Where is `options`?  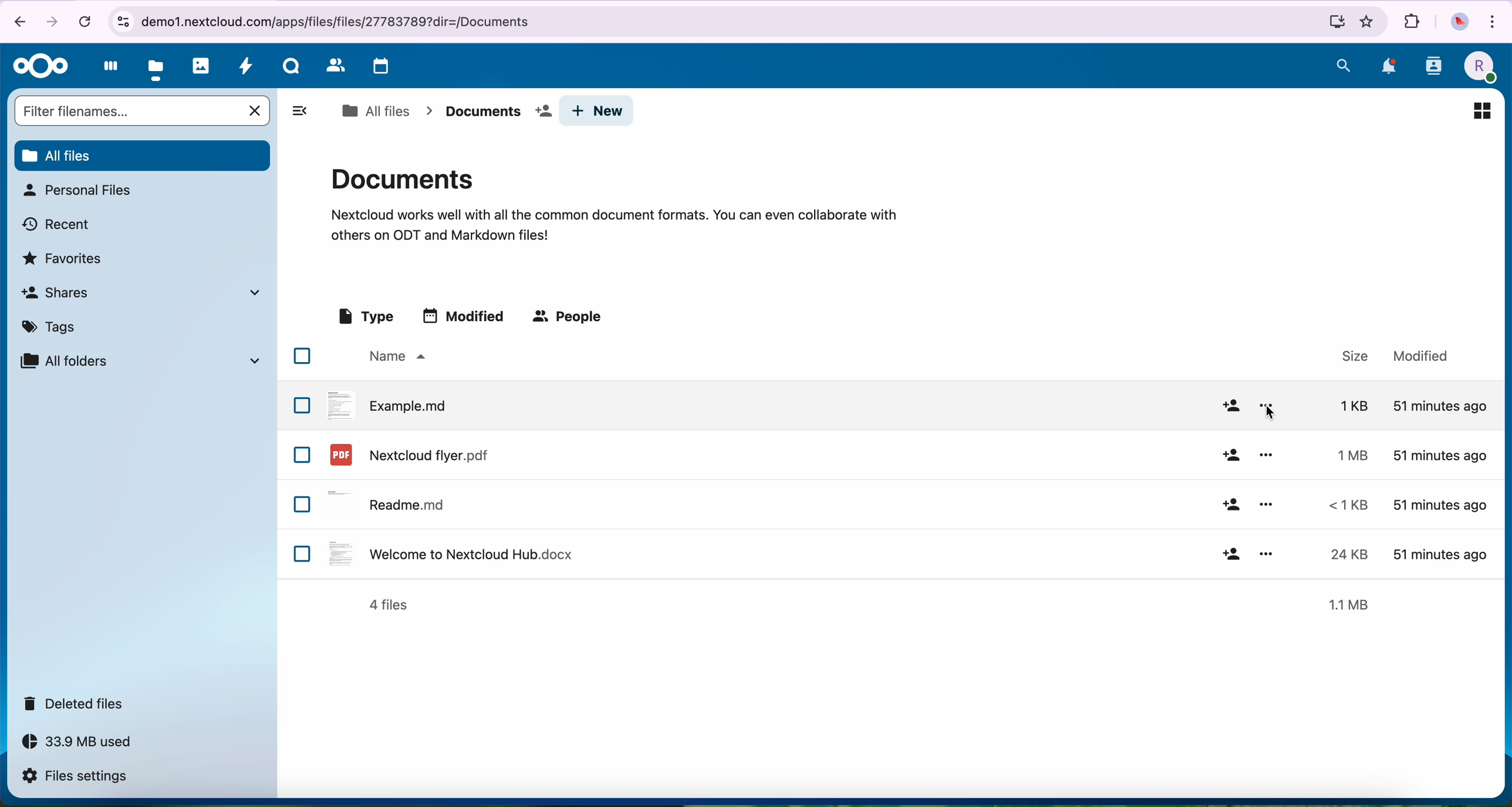
options is located at coordinates (1268, 406).